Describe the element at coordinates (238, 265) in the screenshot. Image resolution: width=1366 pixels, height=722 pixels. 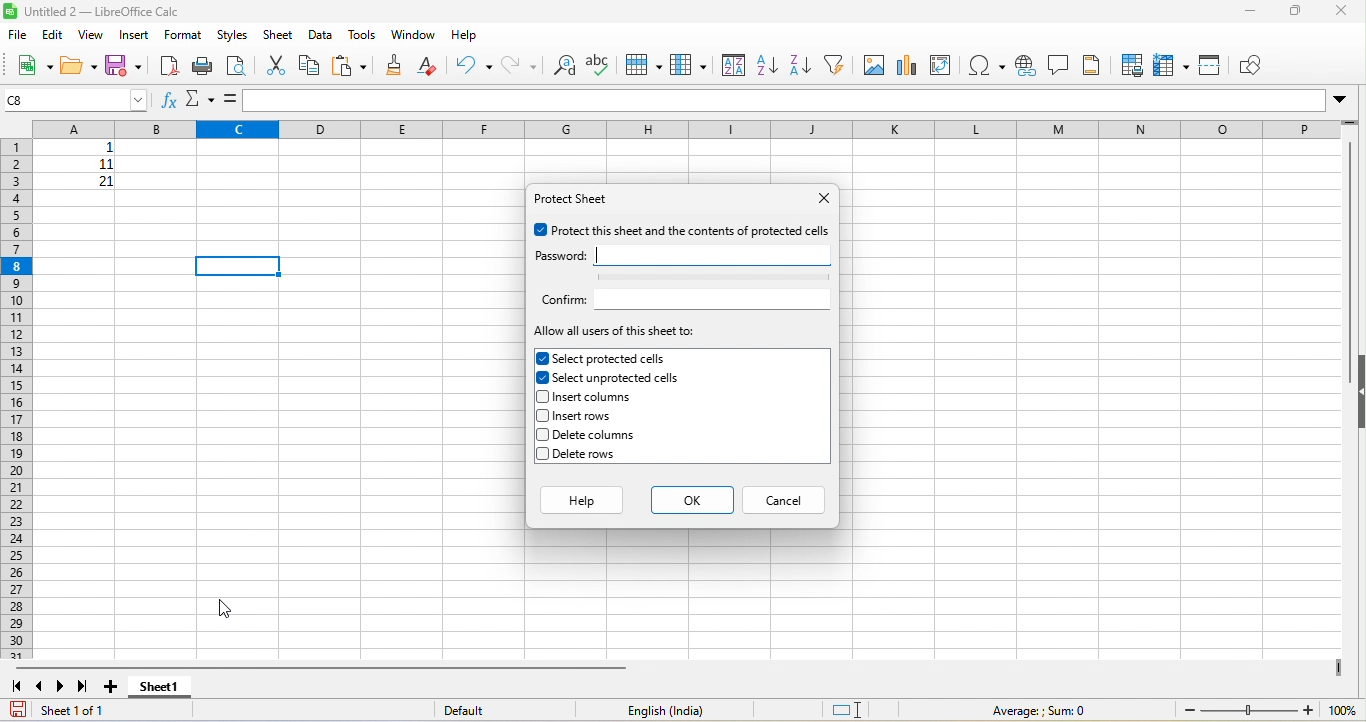
I see `selected cell` at that location.